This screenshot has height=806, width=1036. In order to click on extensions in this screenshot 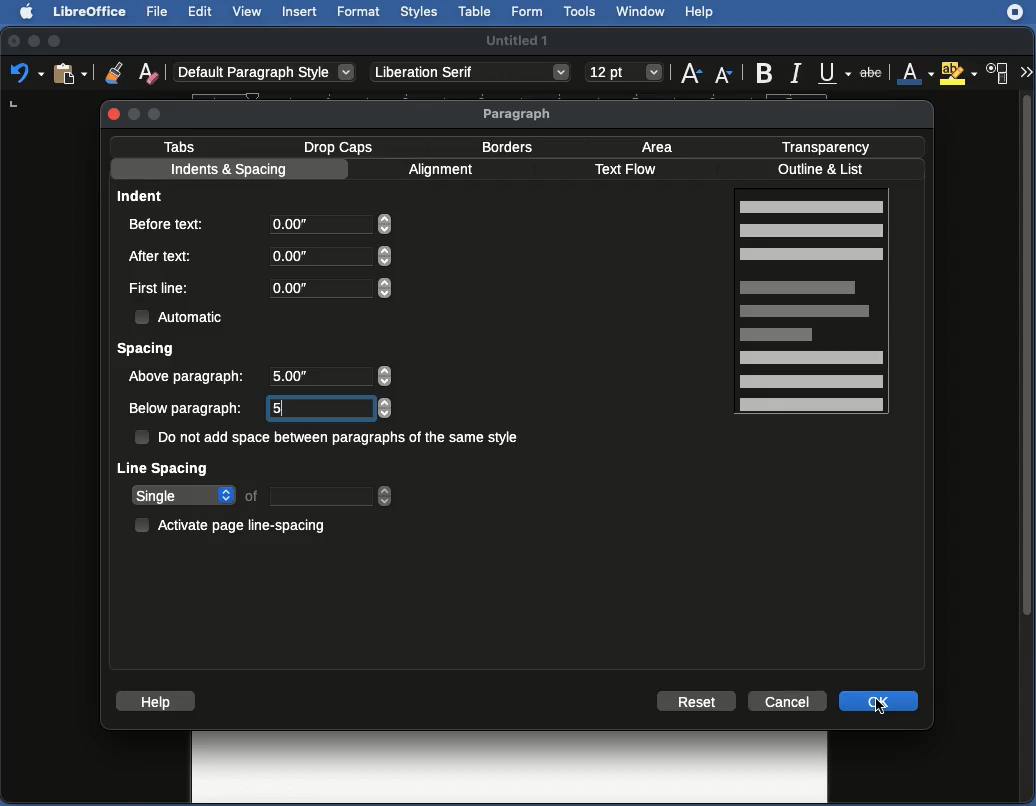, I will do `click(1017, 20)`.